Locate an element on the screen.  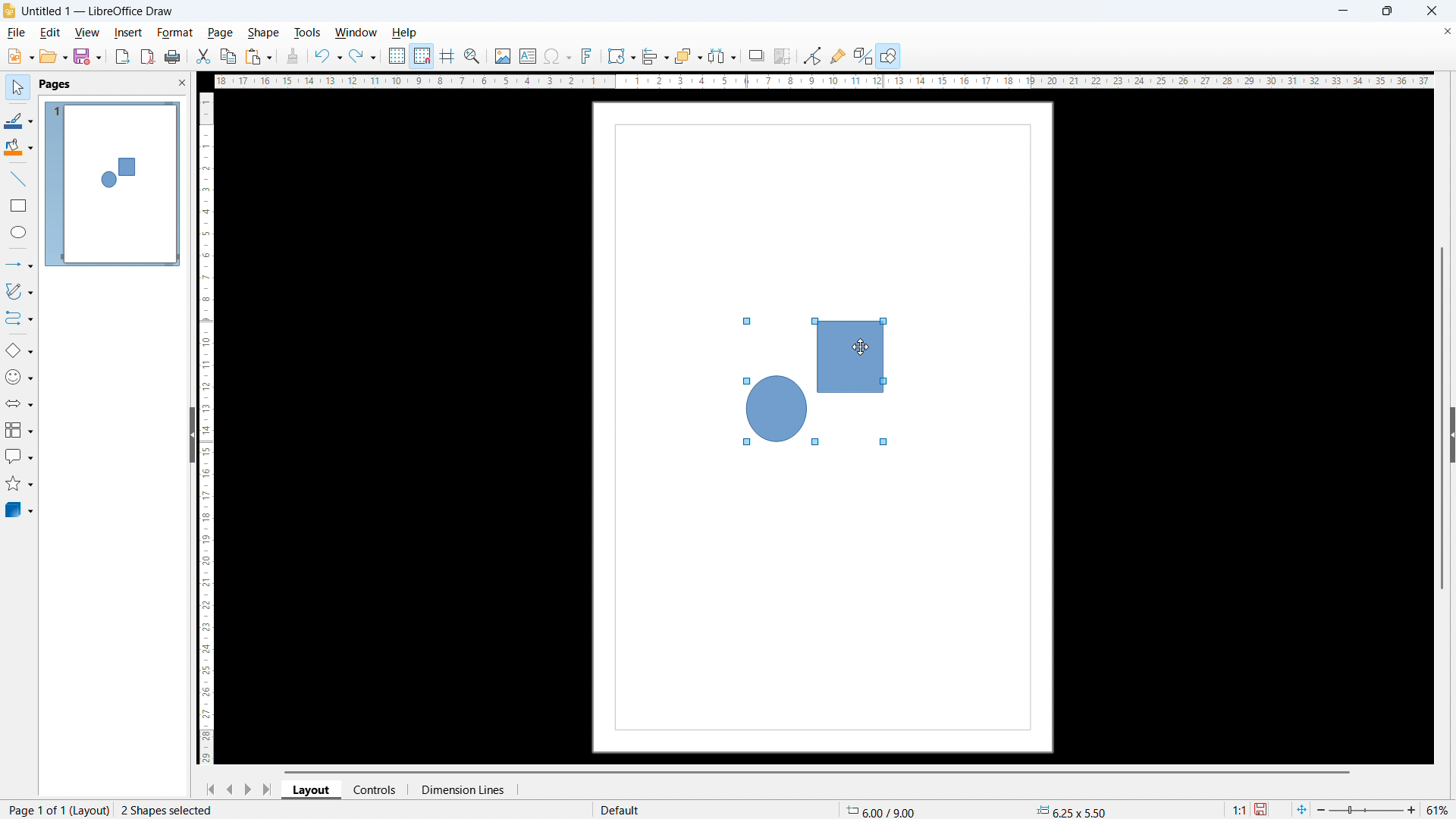
insert symbols is located at coordinates (557, 57).